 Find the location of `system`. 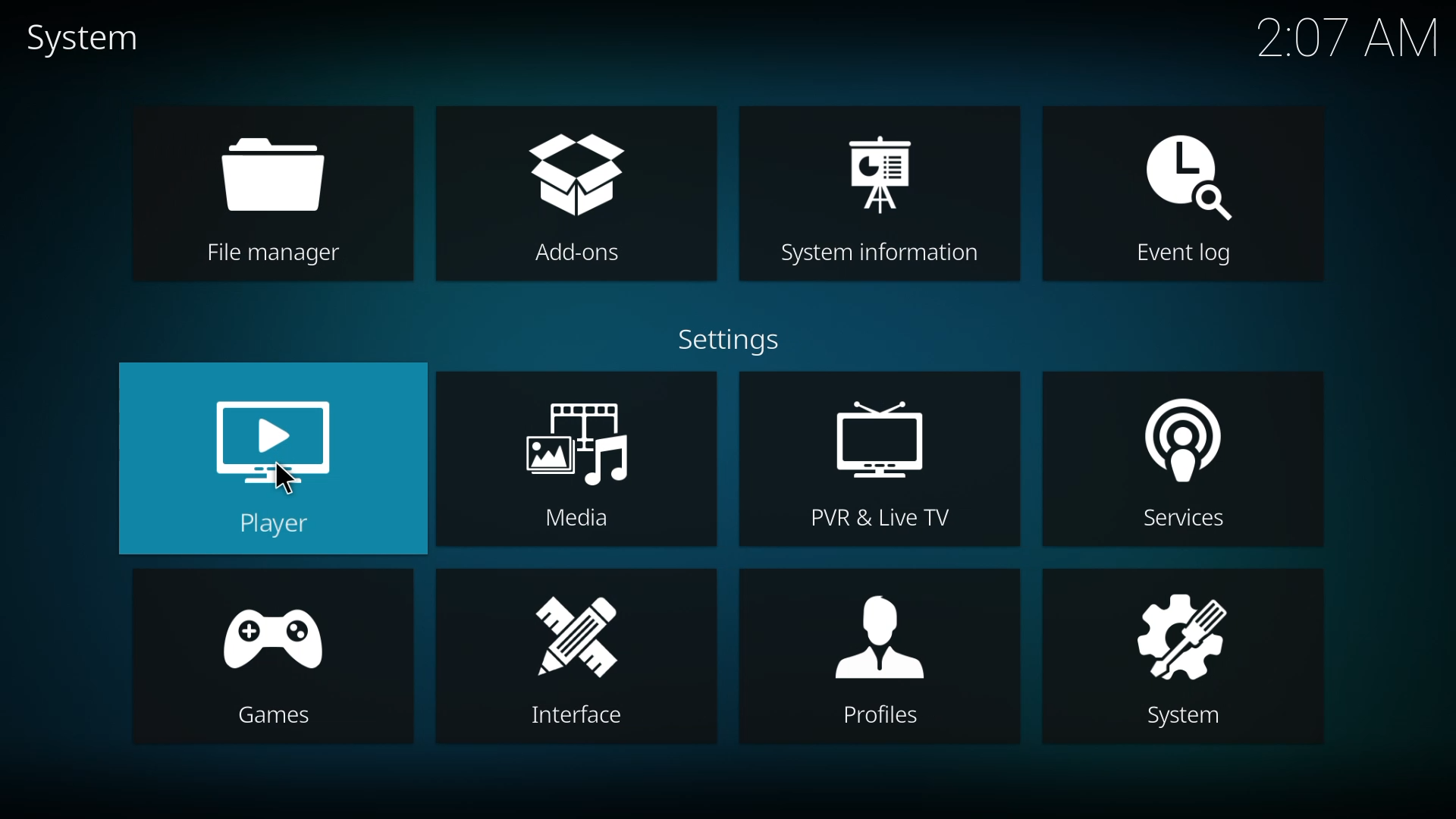

system is located at coordinates (1184, 659).